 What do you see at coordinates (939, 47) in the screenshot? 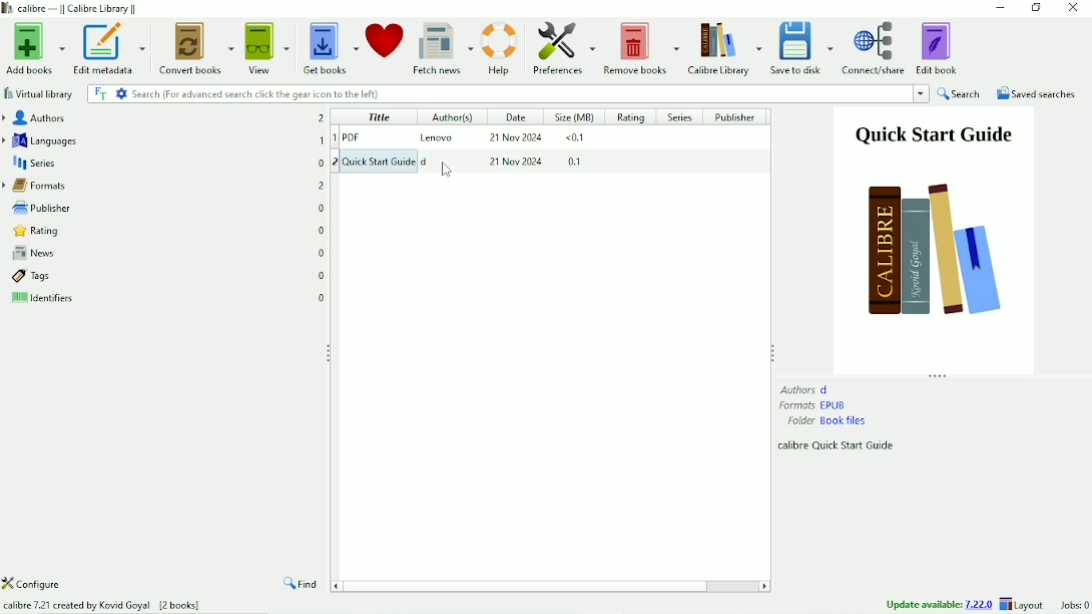
I see `Edit book` at bounding box center [939, 47].